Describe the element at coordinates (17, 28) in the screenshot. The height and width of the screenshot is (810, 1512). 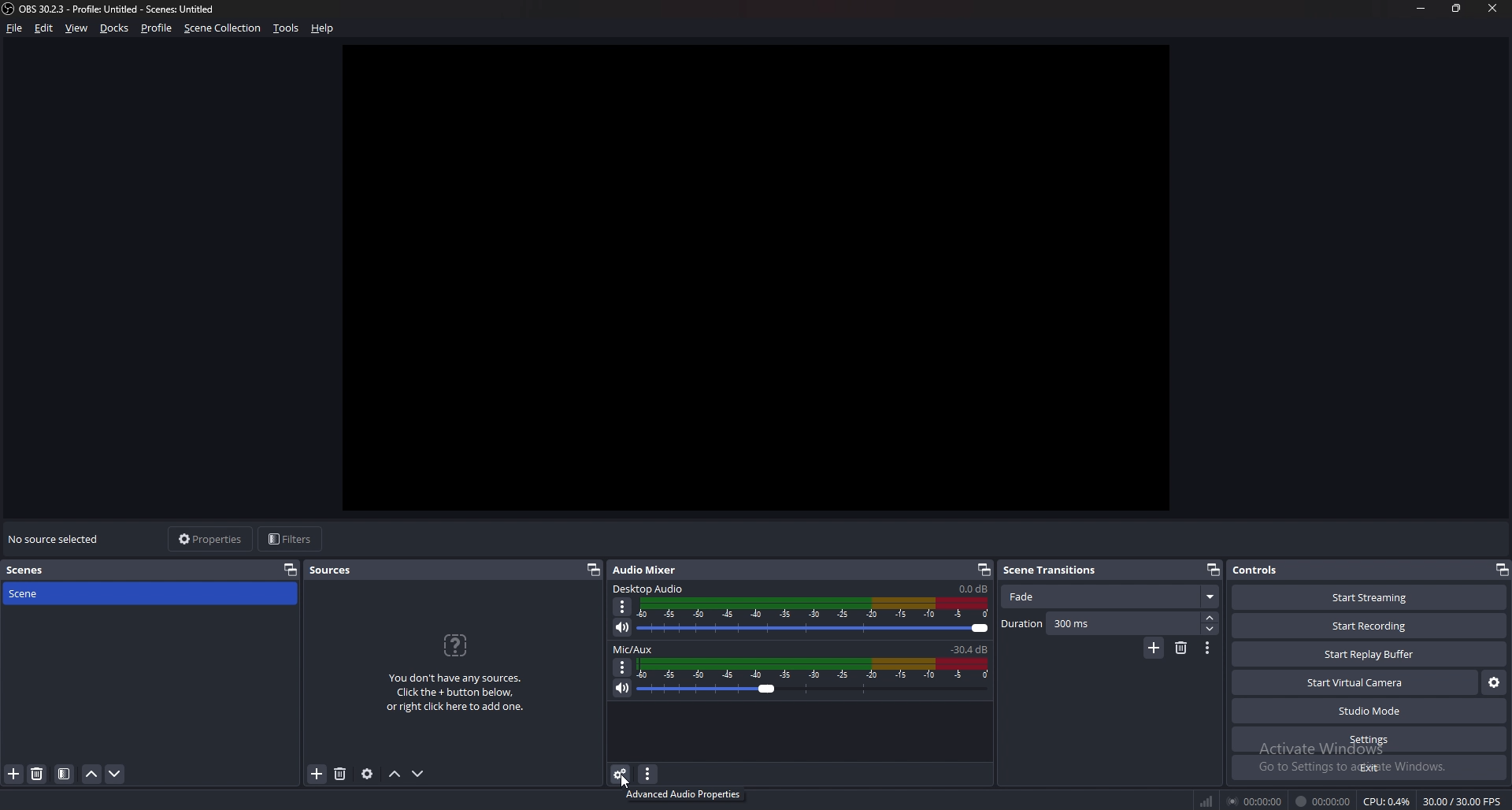
I see `file` at that location.